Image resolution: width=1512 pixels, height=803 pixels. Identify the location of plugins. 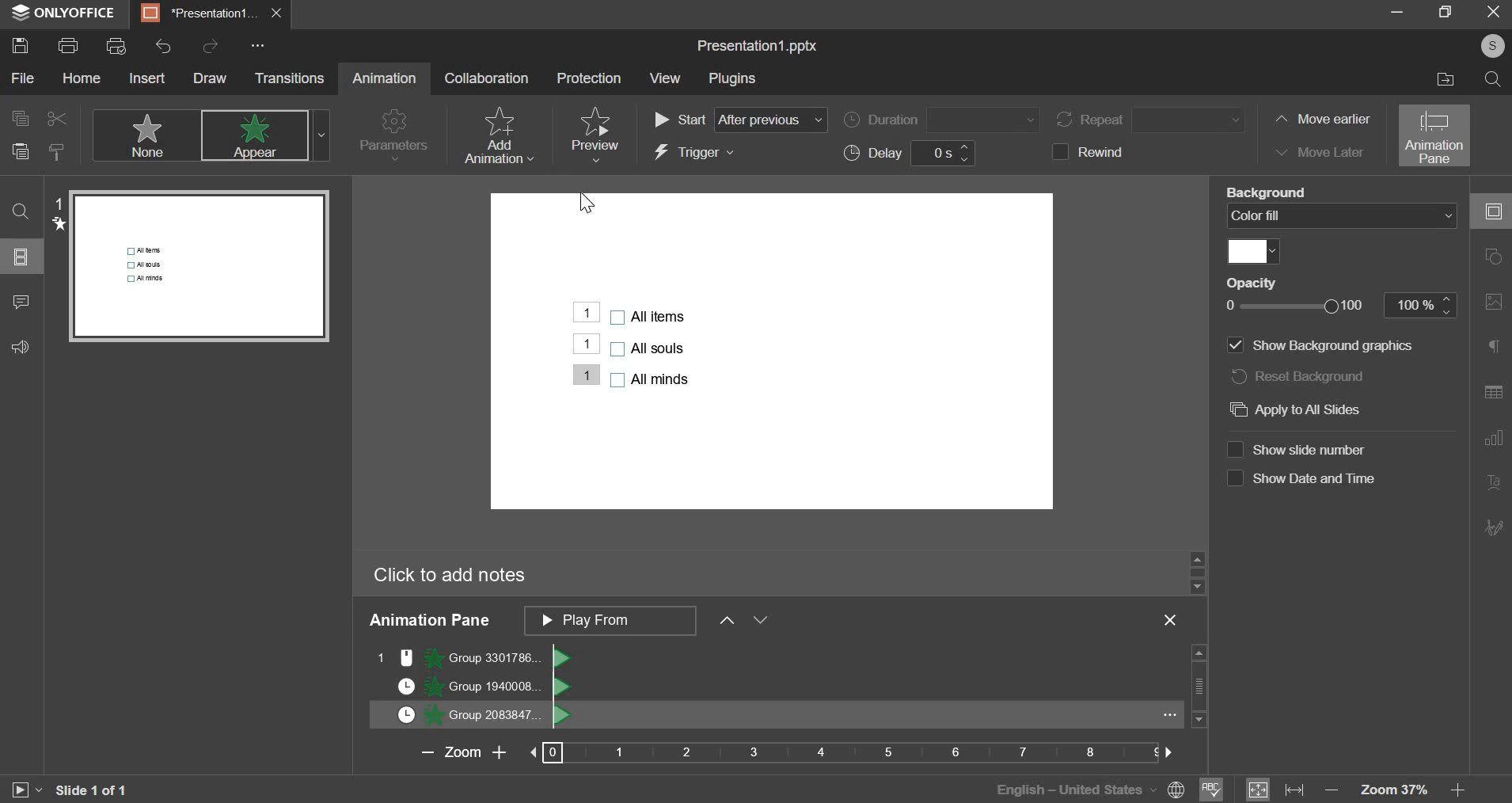
(731, 79).